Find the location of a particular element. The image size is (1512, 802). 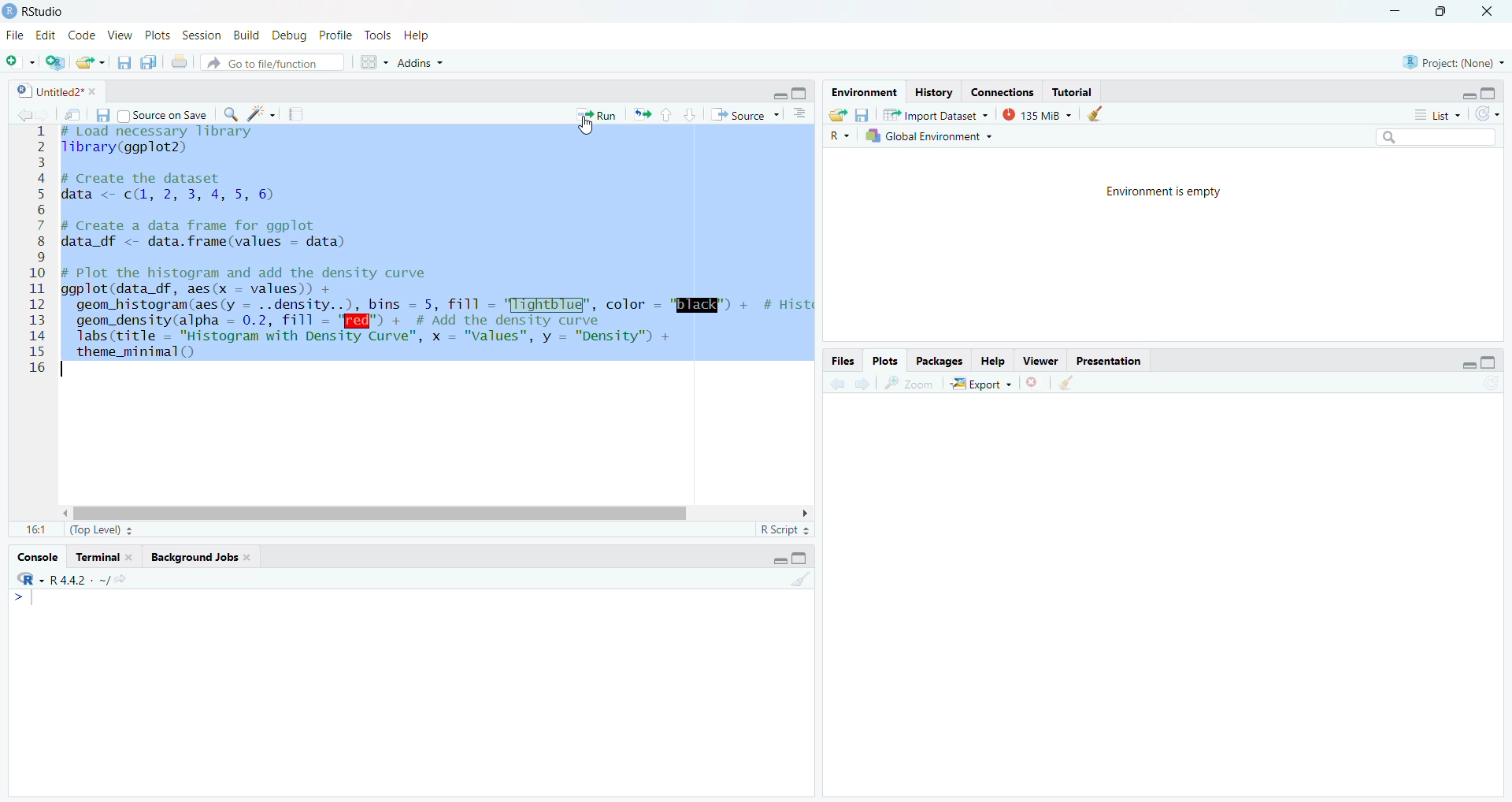

horizontal scroll bar is located at coordinates (384, 514).